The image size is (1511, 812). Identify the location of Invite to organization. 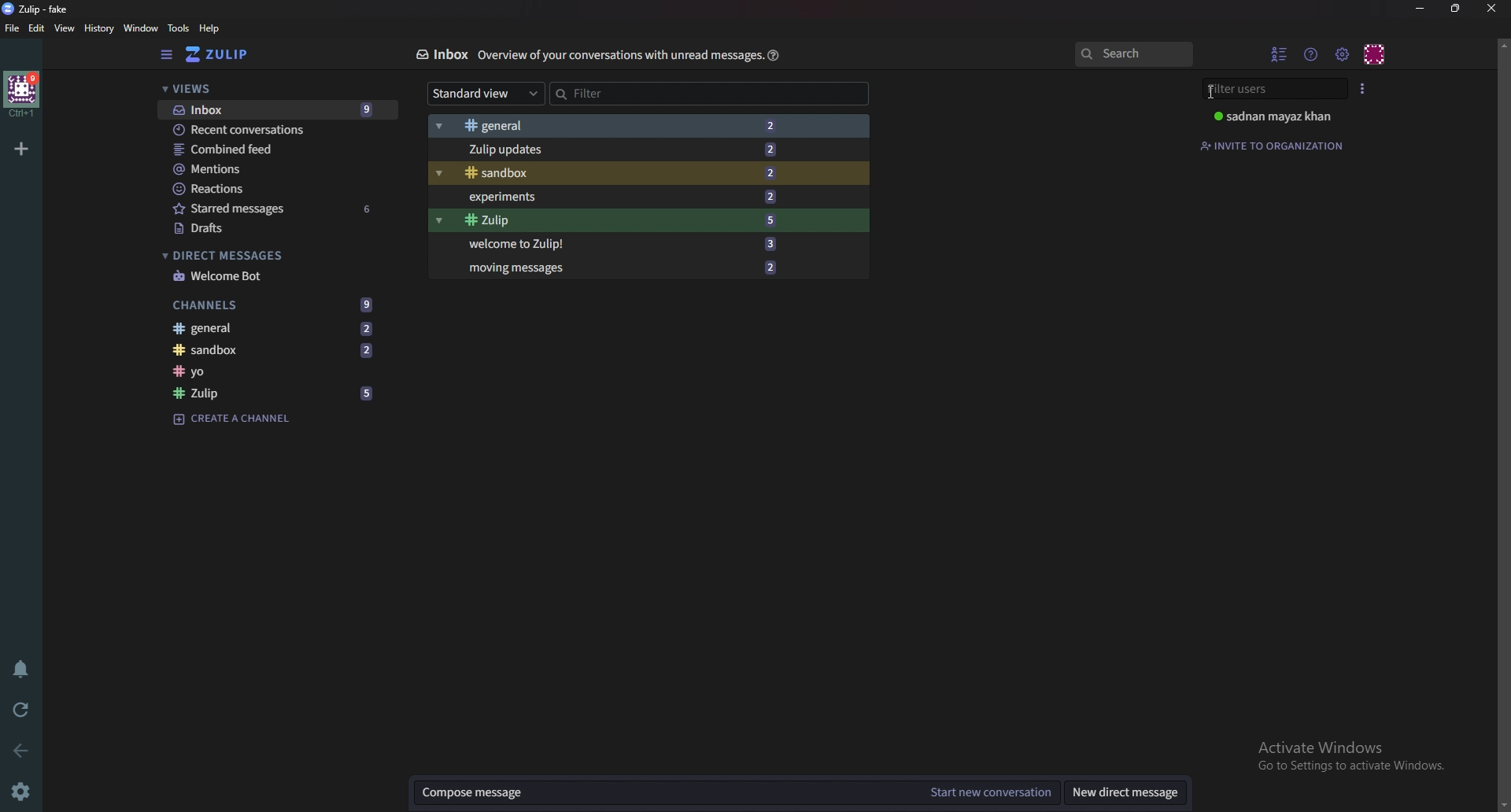
(1281, 149).